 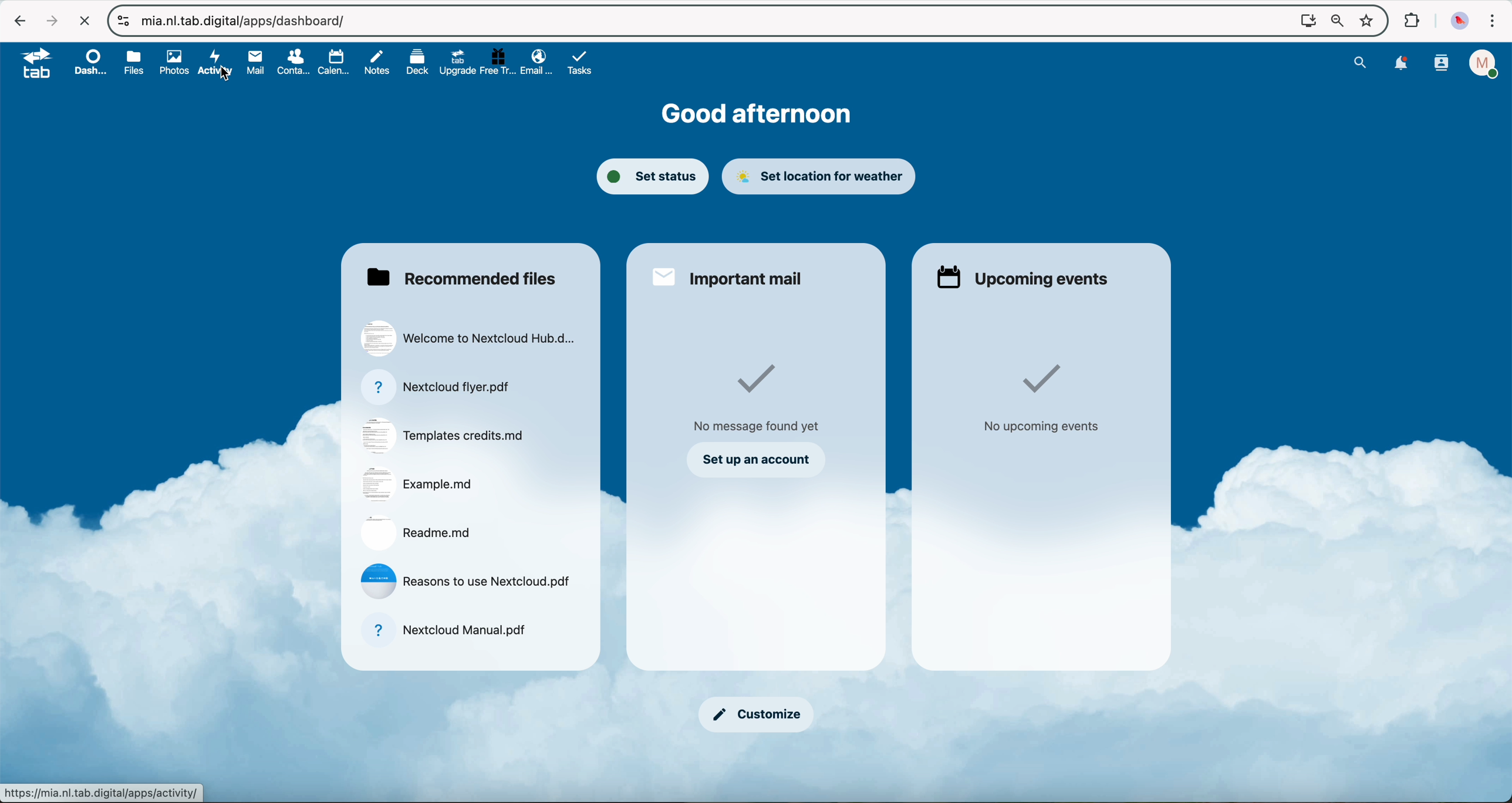 What do you see at coordinates (90, 62) in the screenshot?
I see `dashboard` at bounding box center [90, 62].